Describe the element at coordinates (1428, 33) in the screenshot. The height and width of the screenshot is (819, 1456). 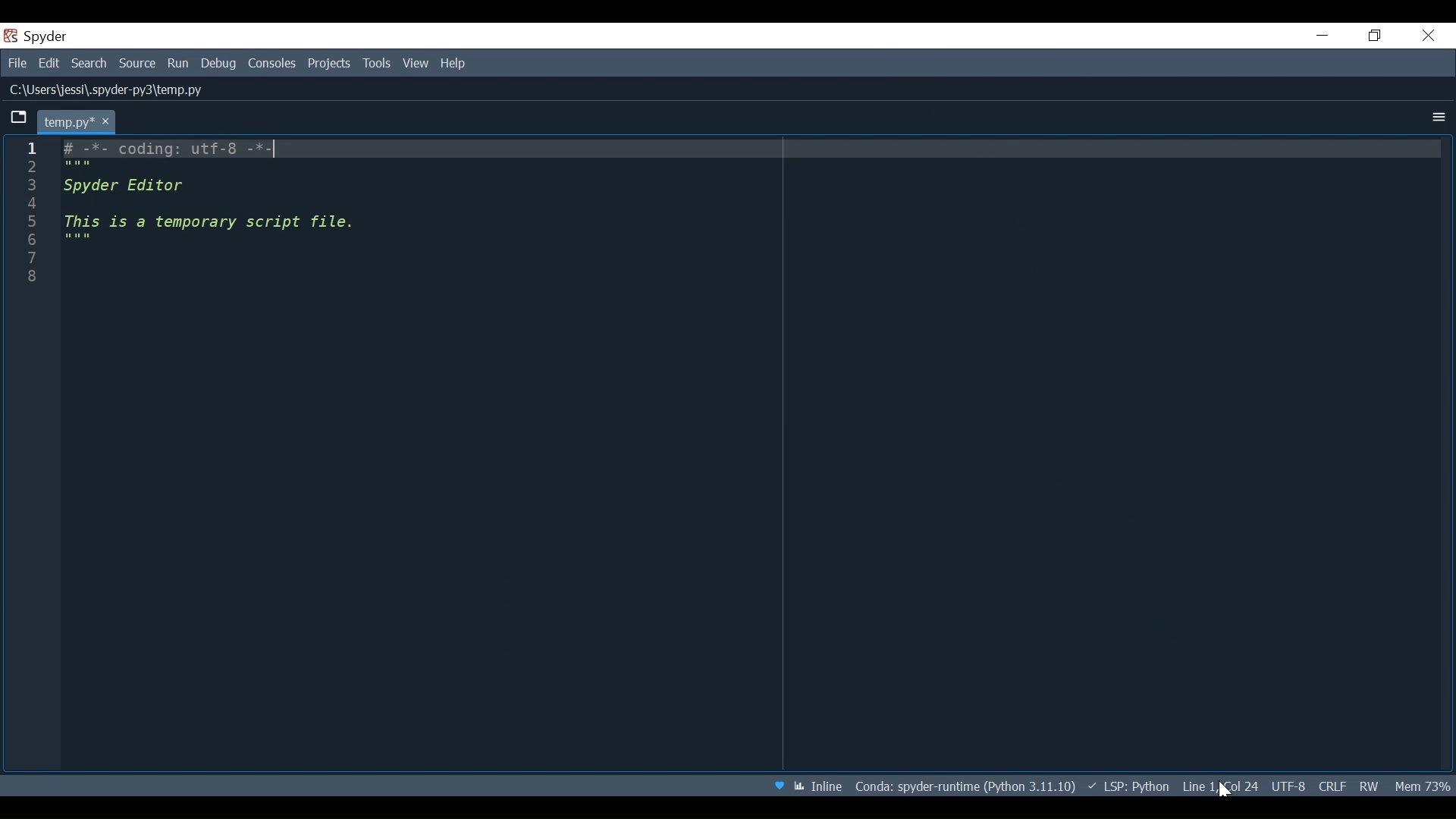
I see `Close` at that location.